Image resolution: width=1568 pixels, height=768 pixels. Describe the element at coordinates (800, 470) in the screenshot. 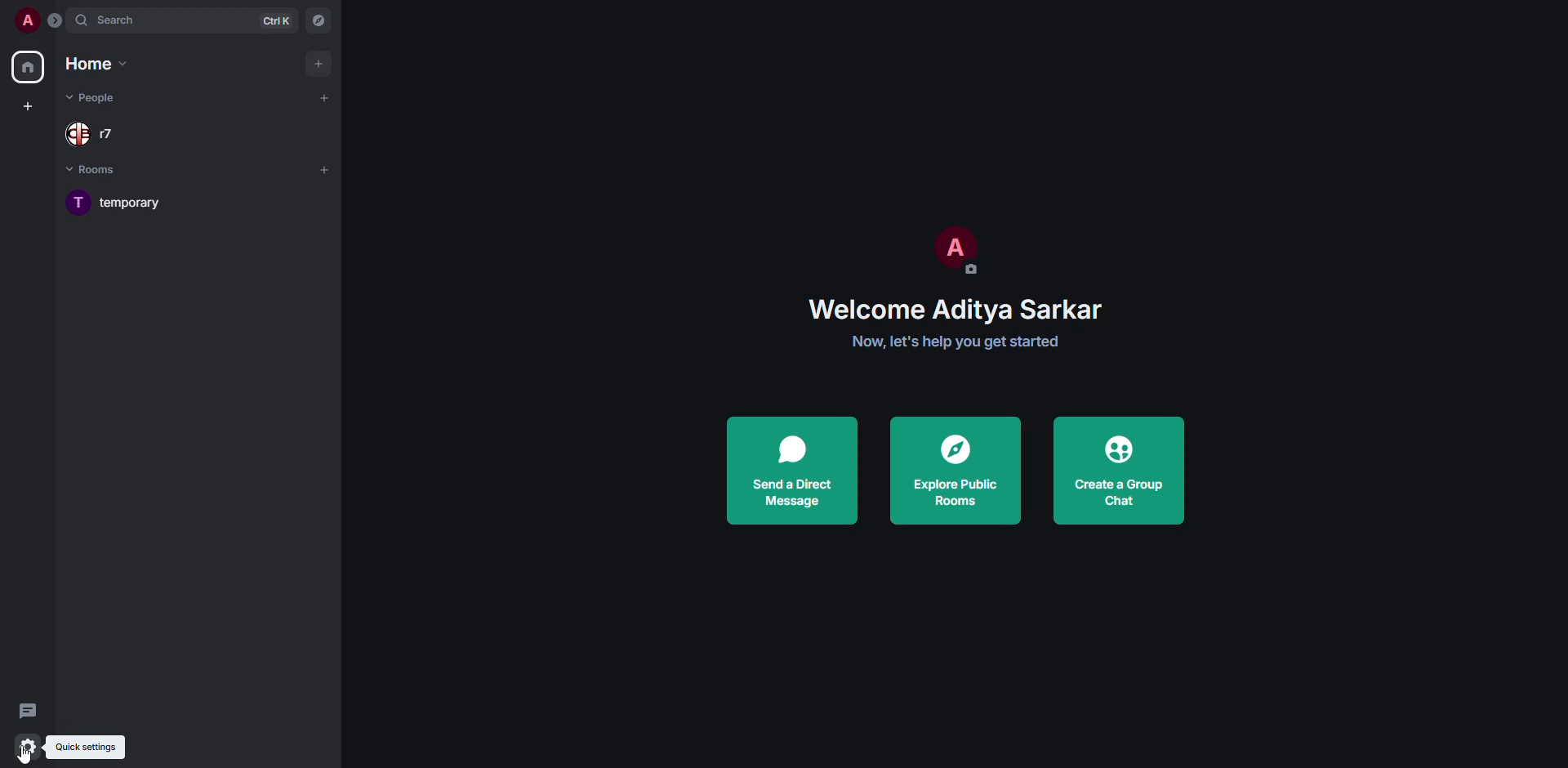

I see `send a direct message` at that location.